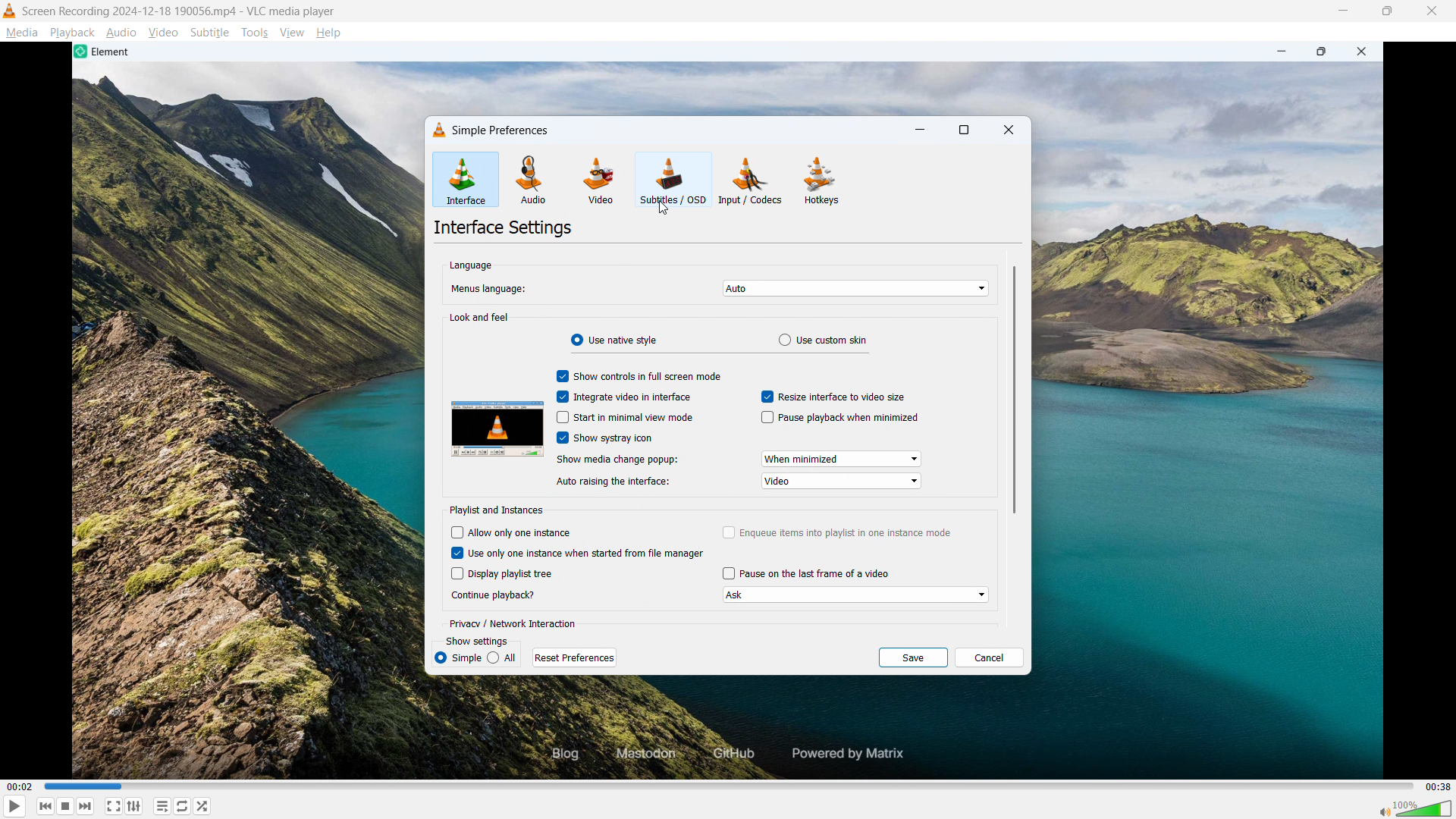  I want to click on Simple preferences , so click(500, 130).